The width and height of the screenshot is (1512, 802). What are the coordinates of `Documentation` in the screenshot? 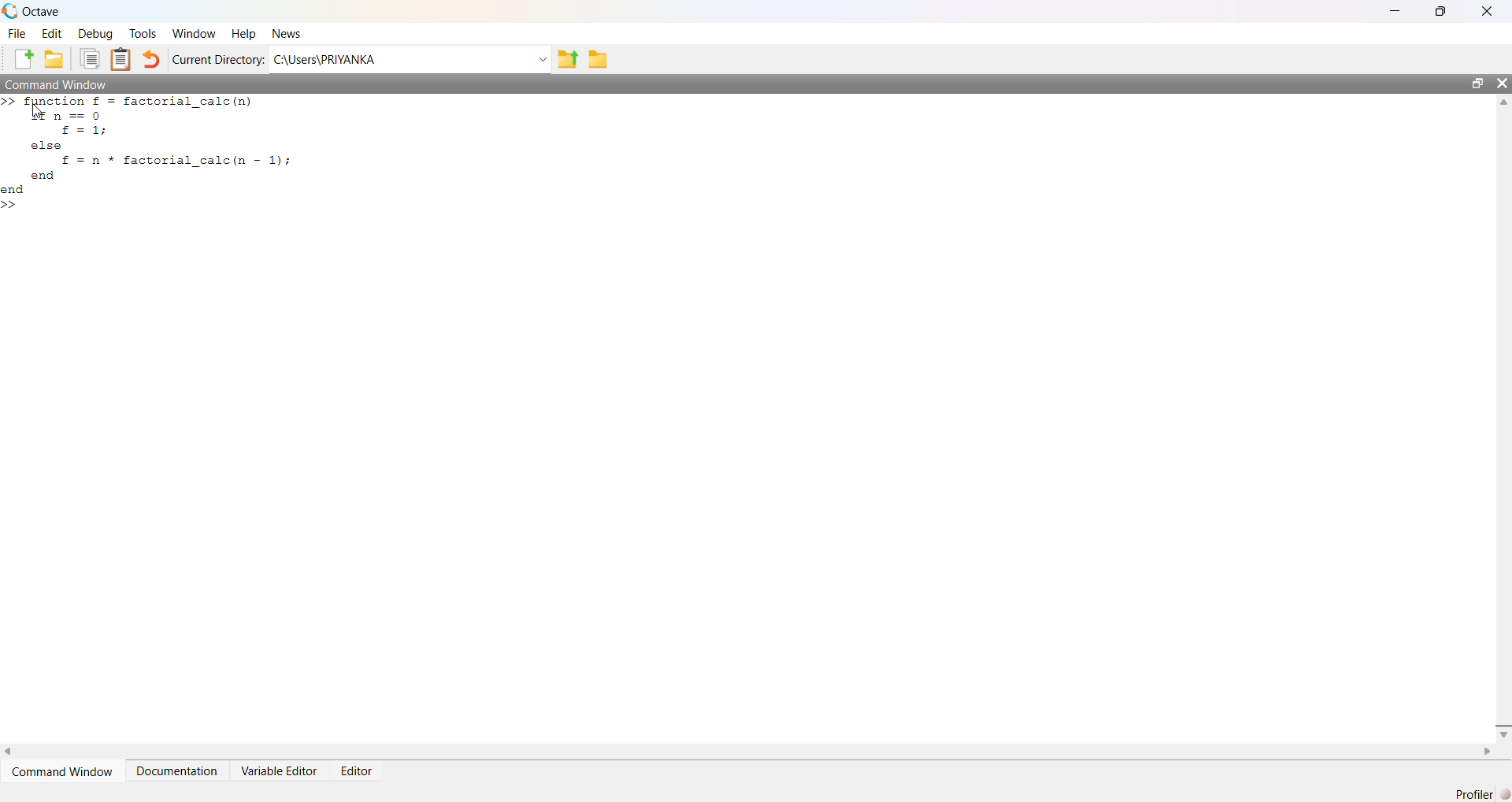 It's located at (178, 771).